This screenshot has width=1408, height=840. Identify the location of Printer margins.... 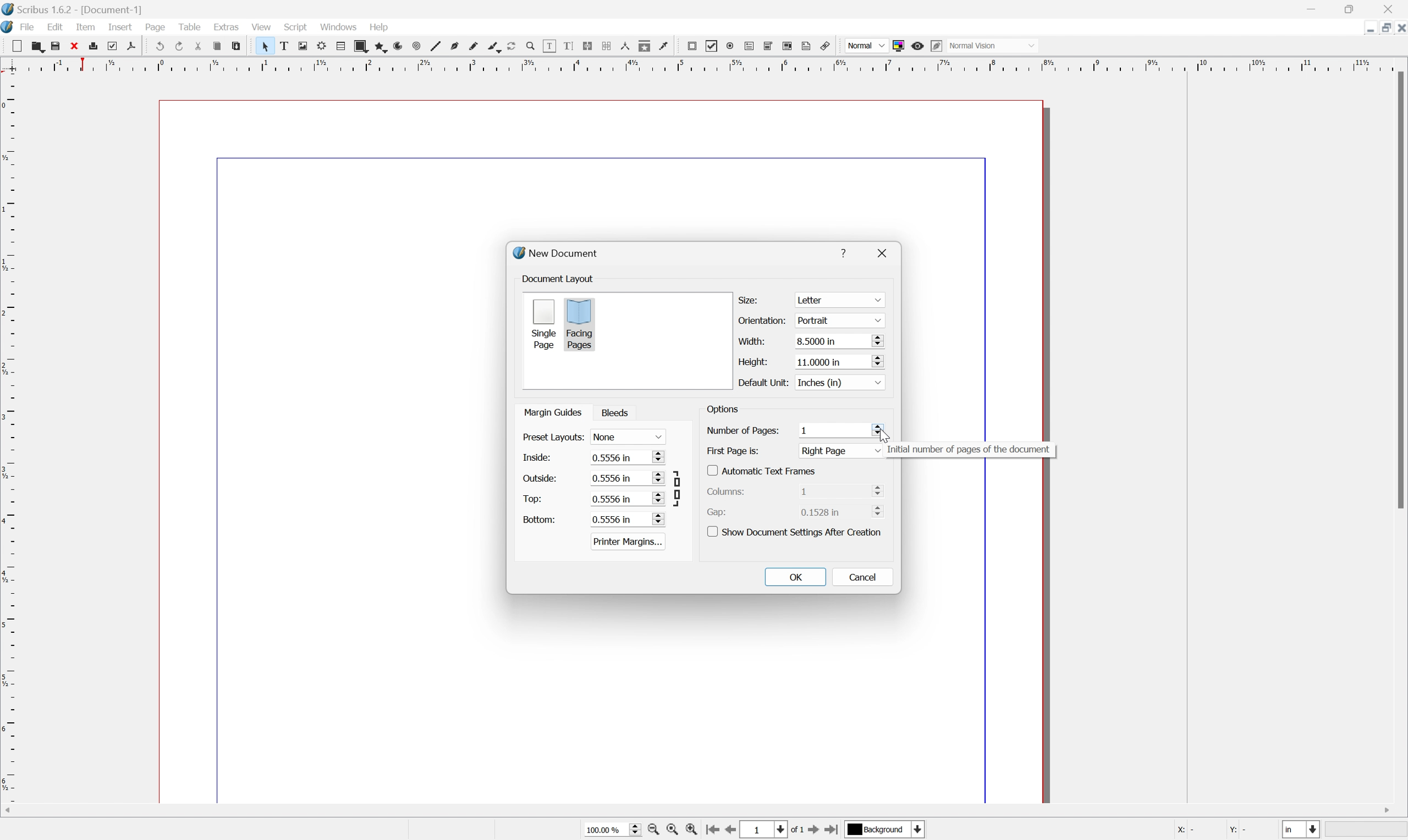
(628, 541).